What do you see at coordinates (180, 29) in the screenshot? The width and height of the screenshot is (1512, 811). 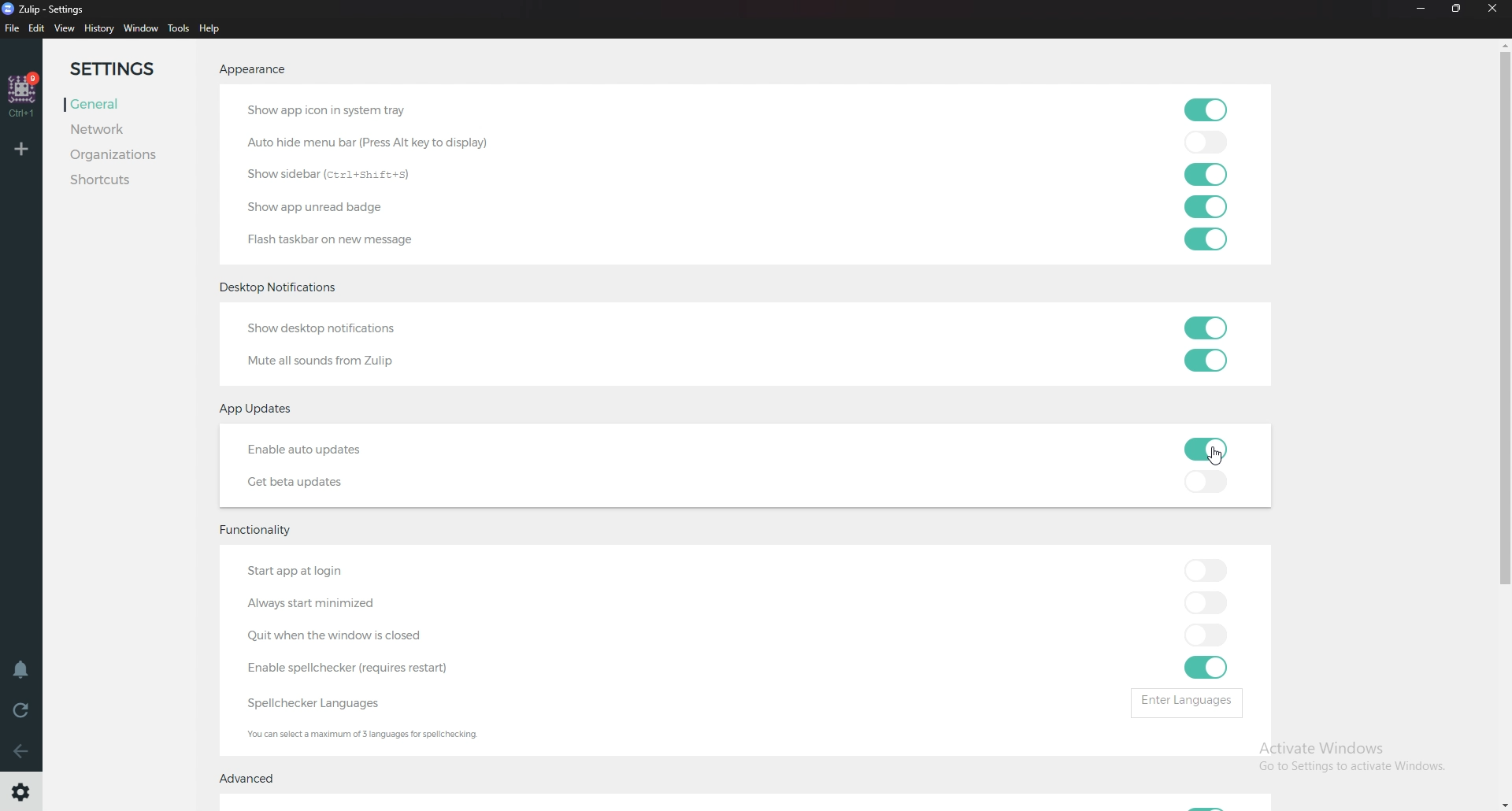 I see `Tools` at bounding box center [180, 29].